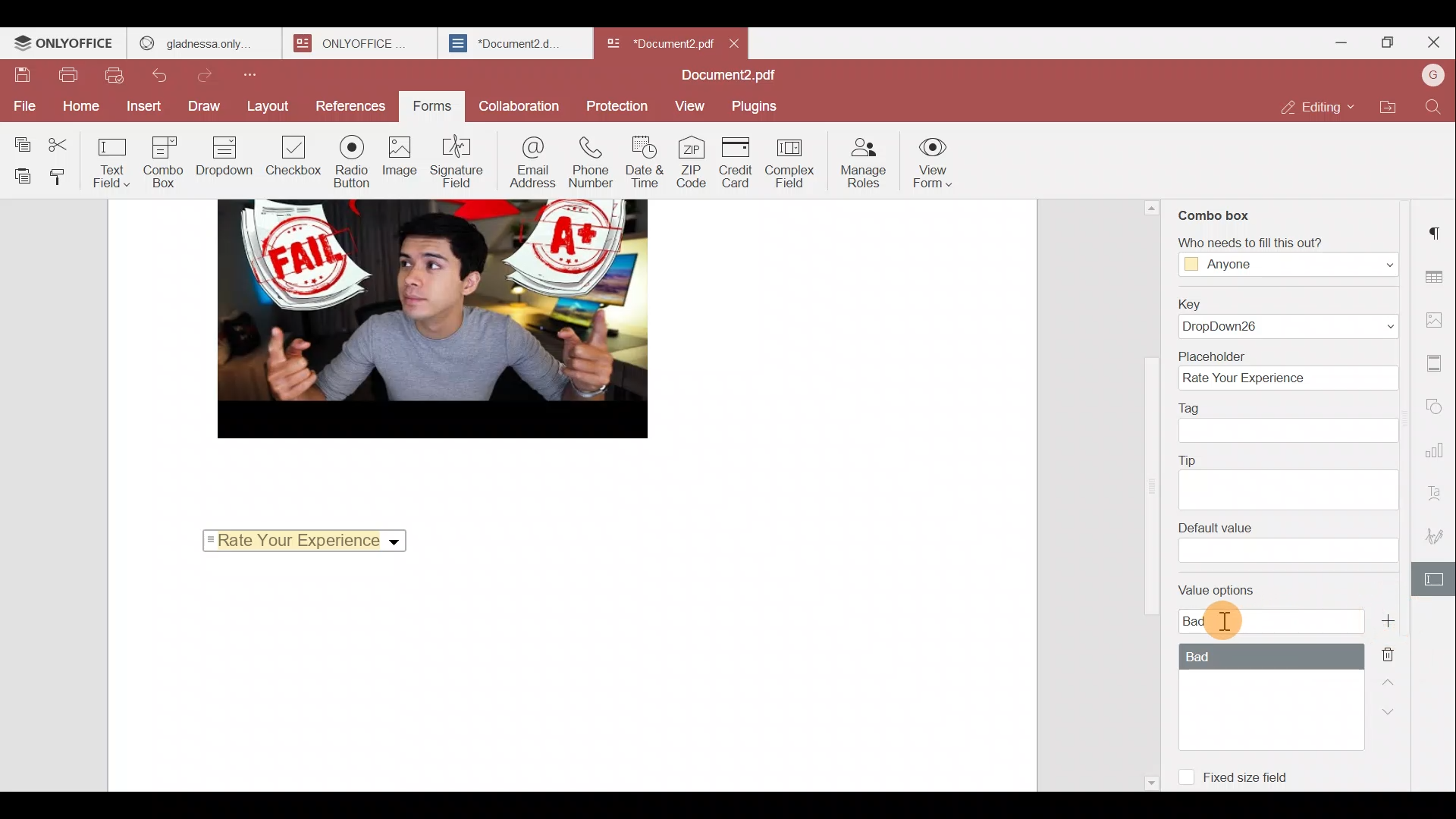  I want to click on Up, so click(1389, 687).